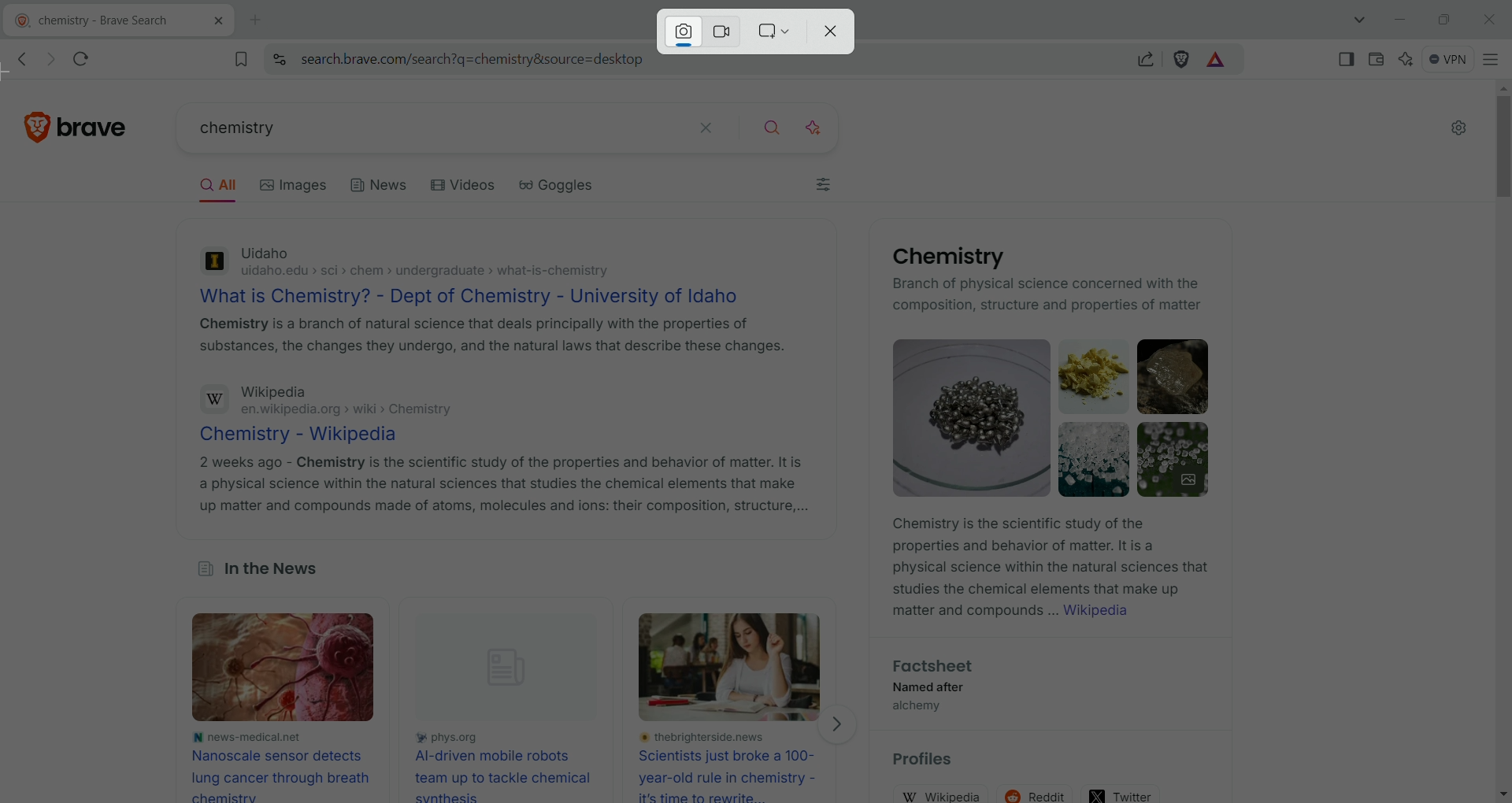 This screenshot has width=1512, height=803. I want to click on Goggles, so click(568, 189).